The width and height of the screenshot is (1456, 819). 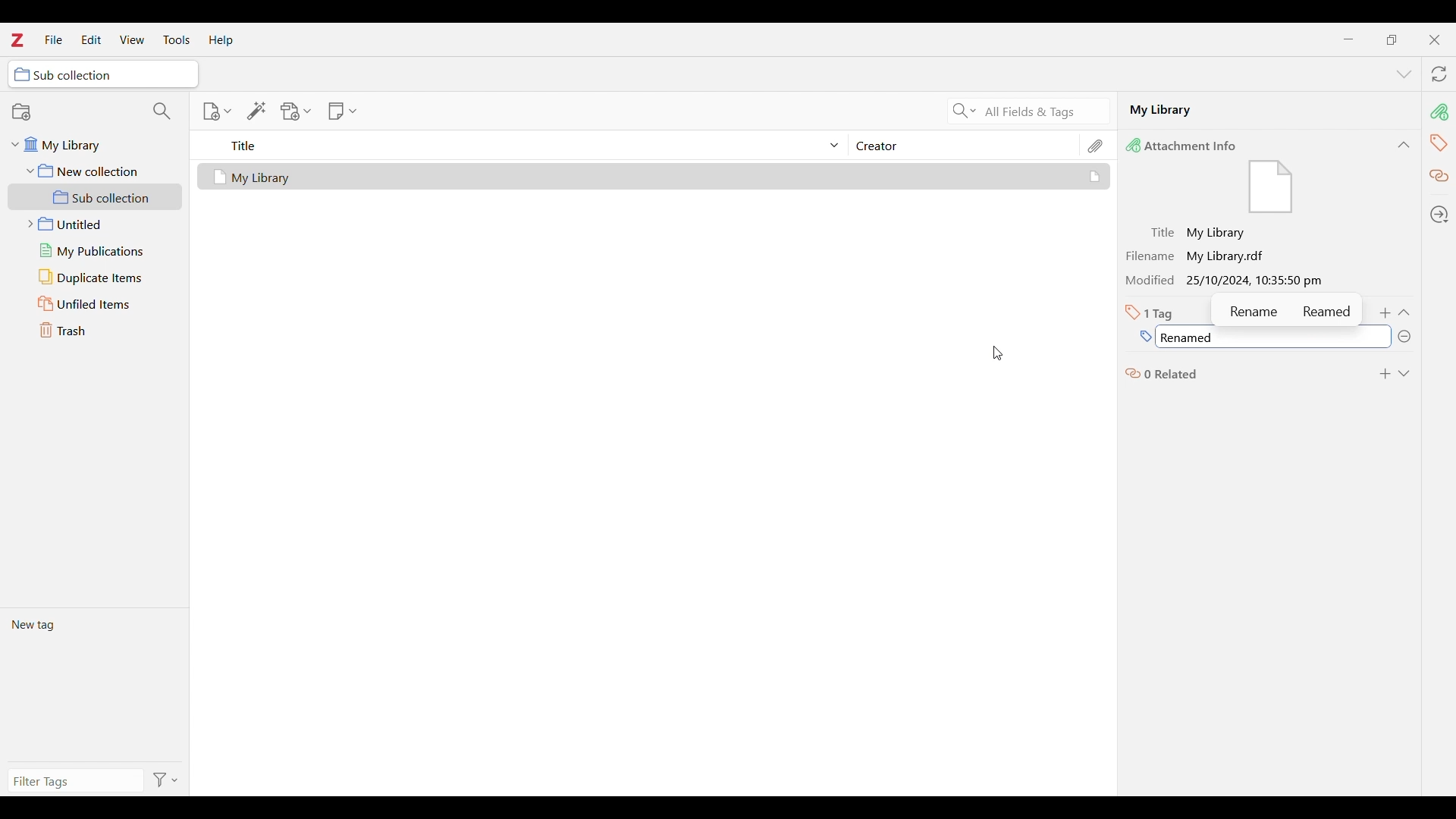 What do you see at coordinates (1439, 74) in the screenshot?
I see `Sync with zotero.org` at bounding box center [1439, 74].